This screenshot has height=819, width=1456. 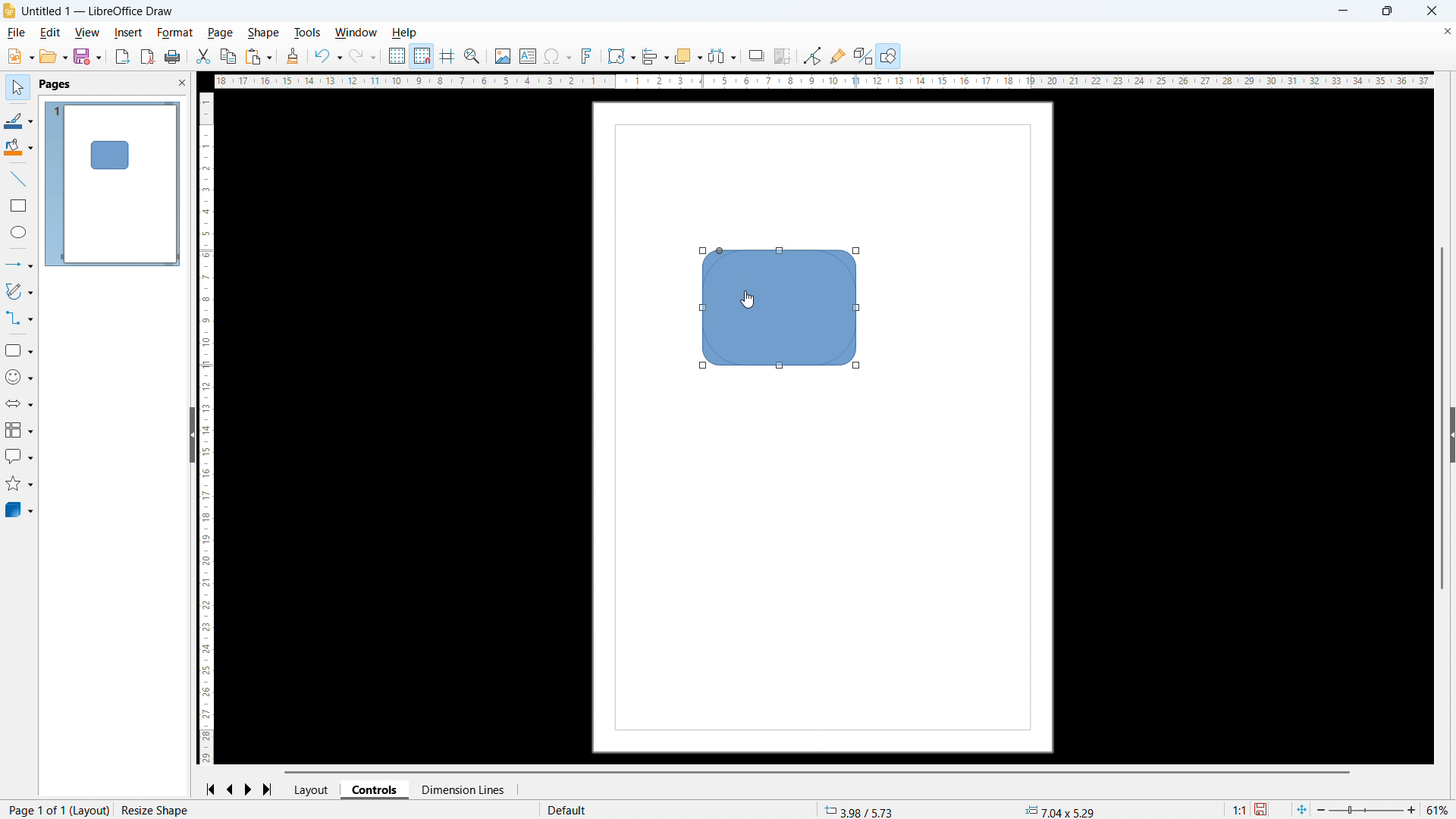 What do you see at coordinates (19, 404) in the screenshot?
I see `Block arrows ` at bounding box center [19, 404].